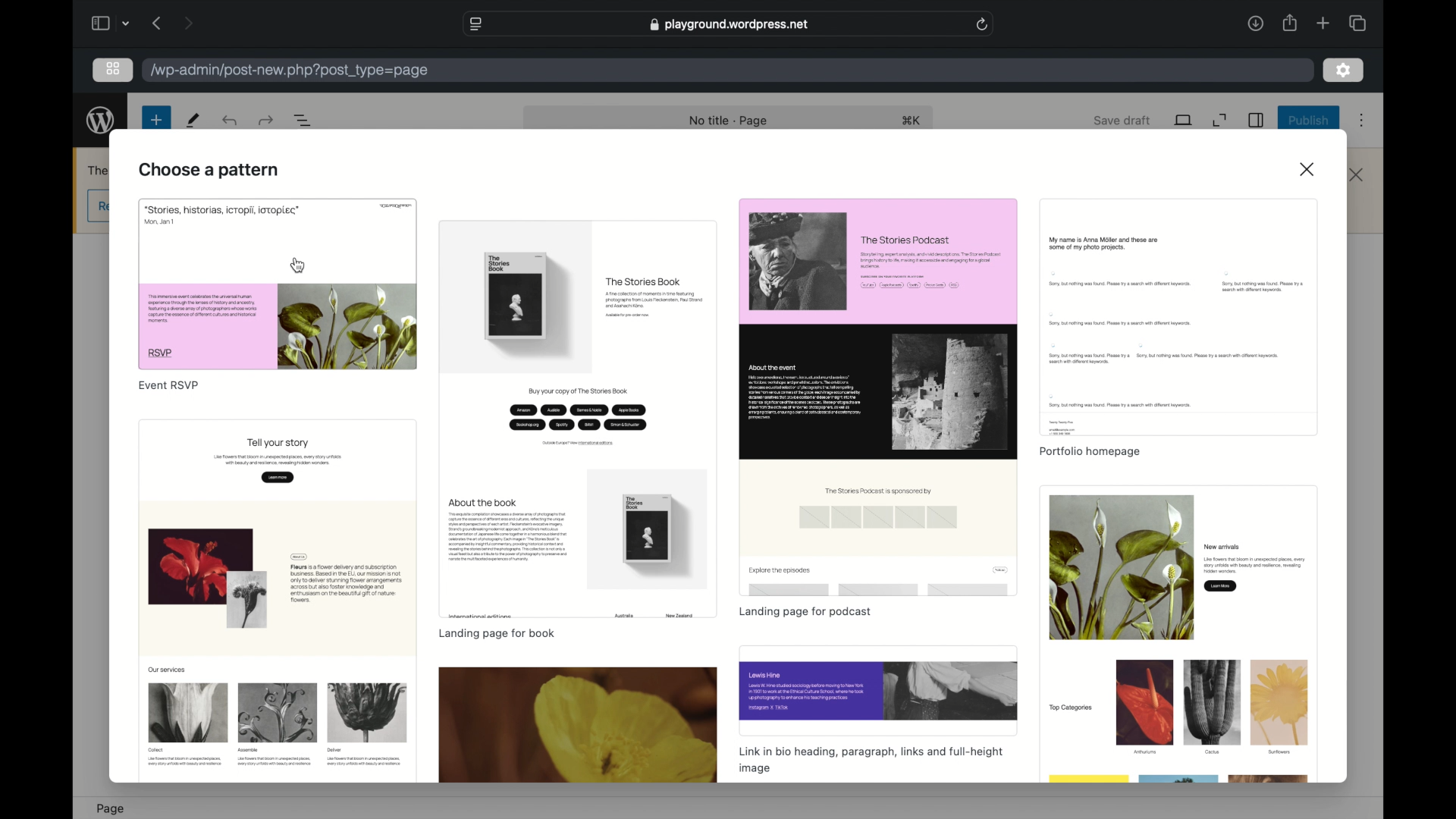 The width and height of the screenshot is (1456, 819). What do you see at coordinates (878, 690) in the screenshot?
I see `preview` at bounding box center [878, 690].